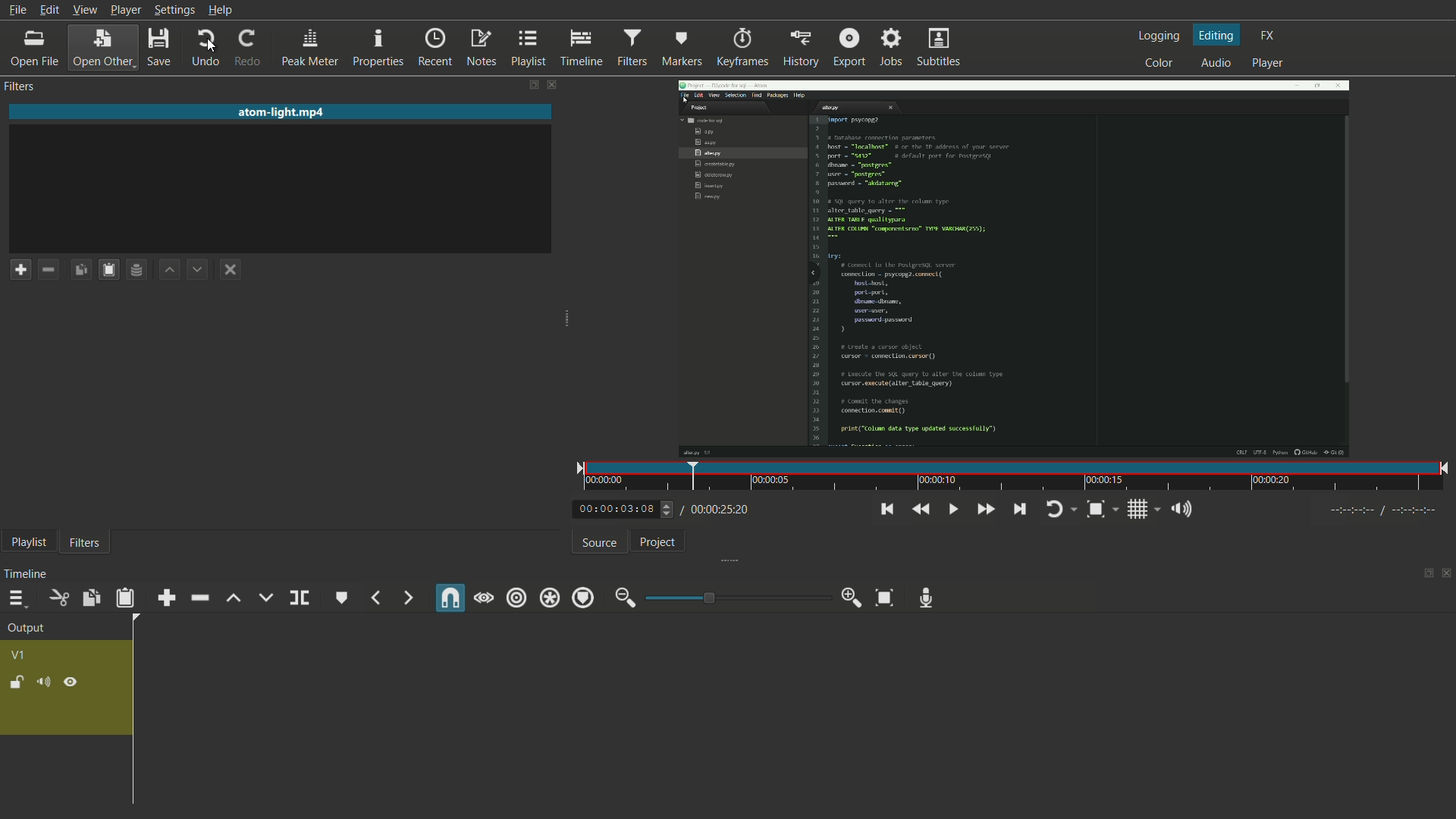 The image size is (1456, 819). What do you see at coordinates (137, 268) in the screenshot?
I see `Resources` at bounding box center [137, 268].